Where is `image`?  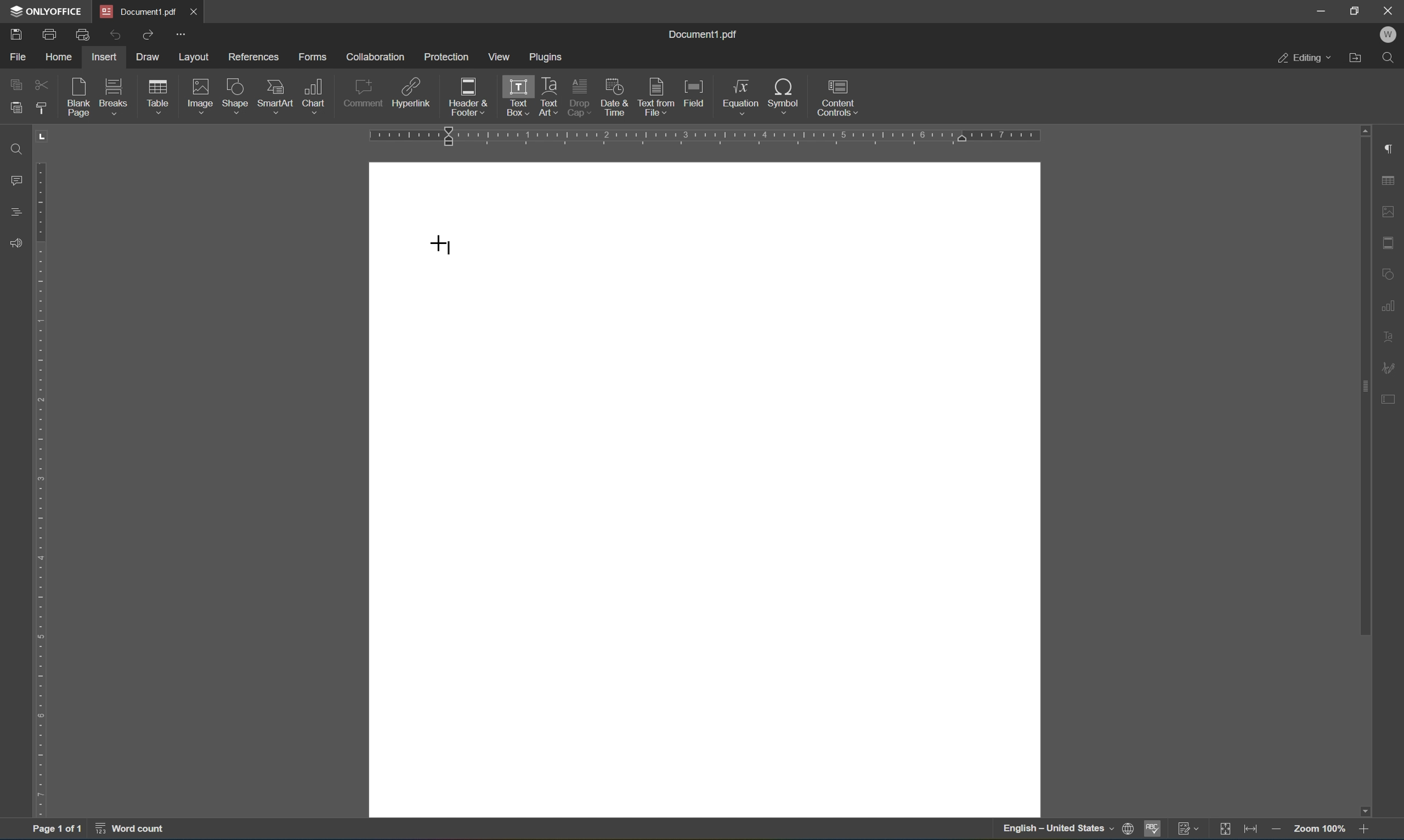
image is located at coordinates (202, 96).